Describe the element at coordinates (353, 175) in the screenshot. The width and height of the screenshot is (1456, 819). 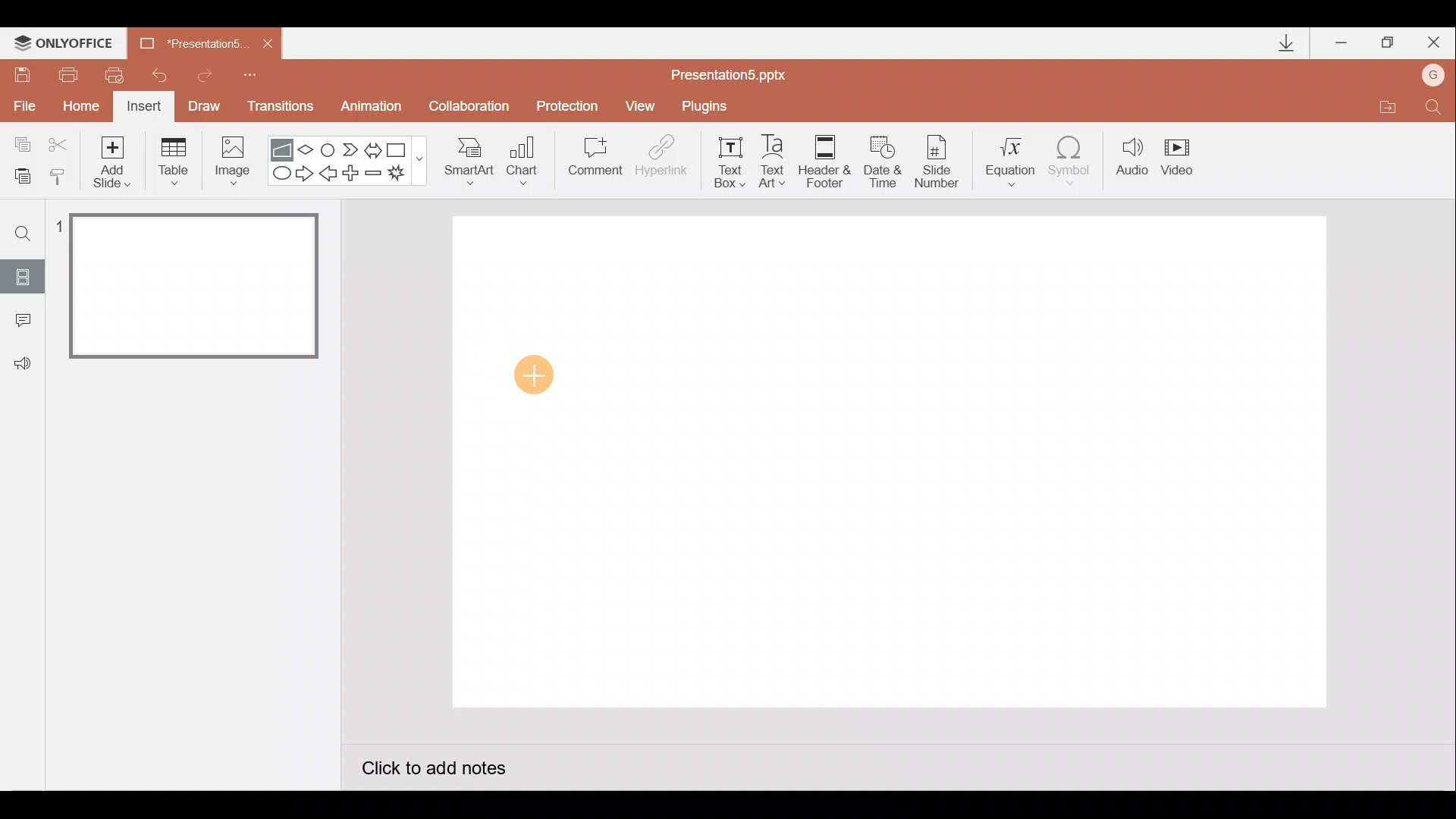
I see `Plus` at that location.